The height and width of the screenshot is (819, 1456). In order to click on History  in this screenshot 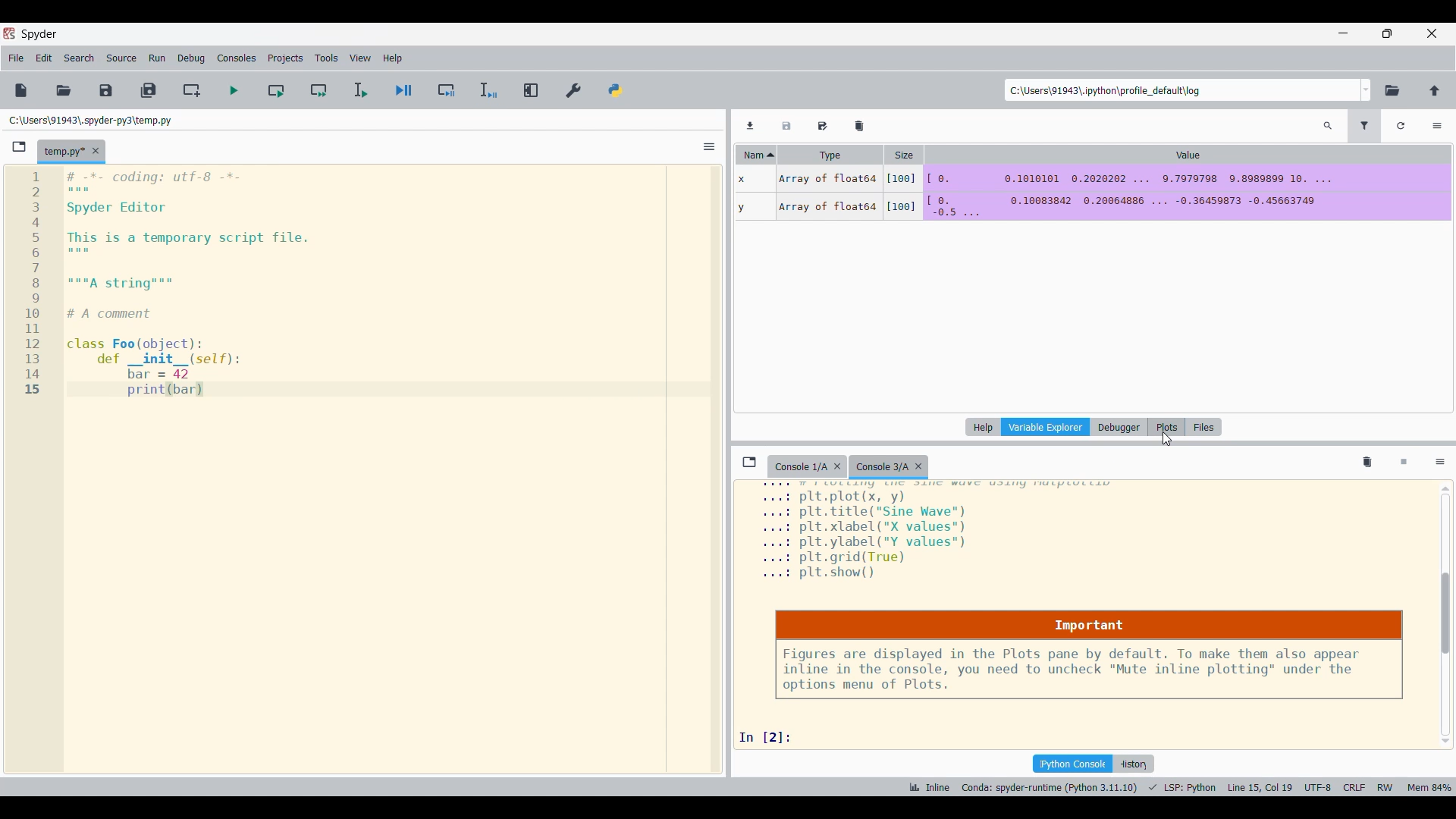, I will do `click(1133, 764)`.